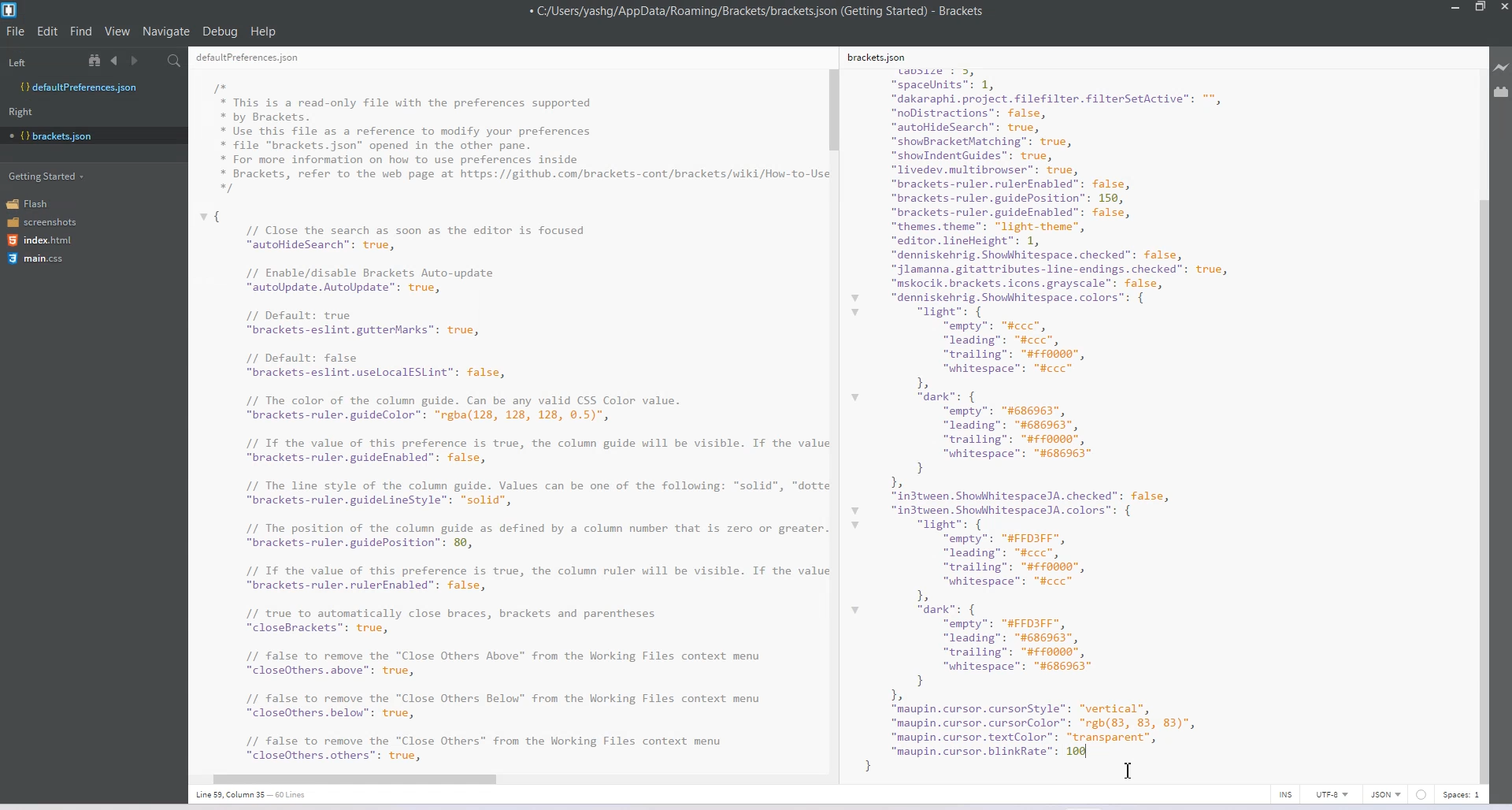 The height and width of the screenshot is (810, 1512). What do you see at coordinates (20, 112) in the screenshot?
I see `Right` at bounding box center [20, 112].